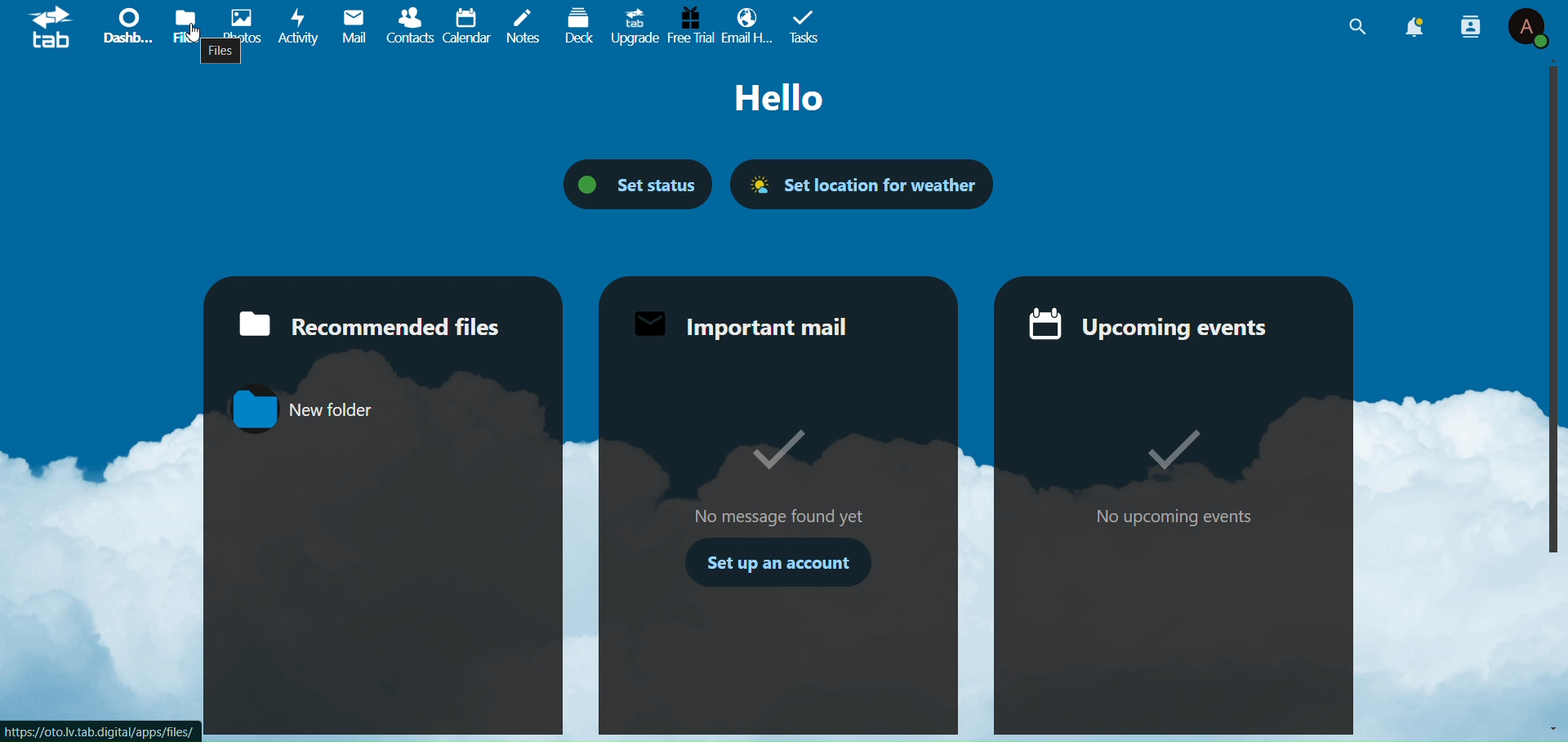 The width and height of the screenshot is (1568, 742). What do you see at coordinates (52, 30) in the screenshot?
I see `Logo` at bounding box center [52, 30].